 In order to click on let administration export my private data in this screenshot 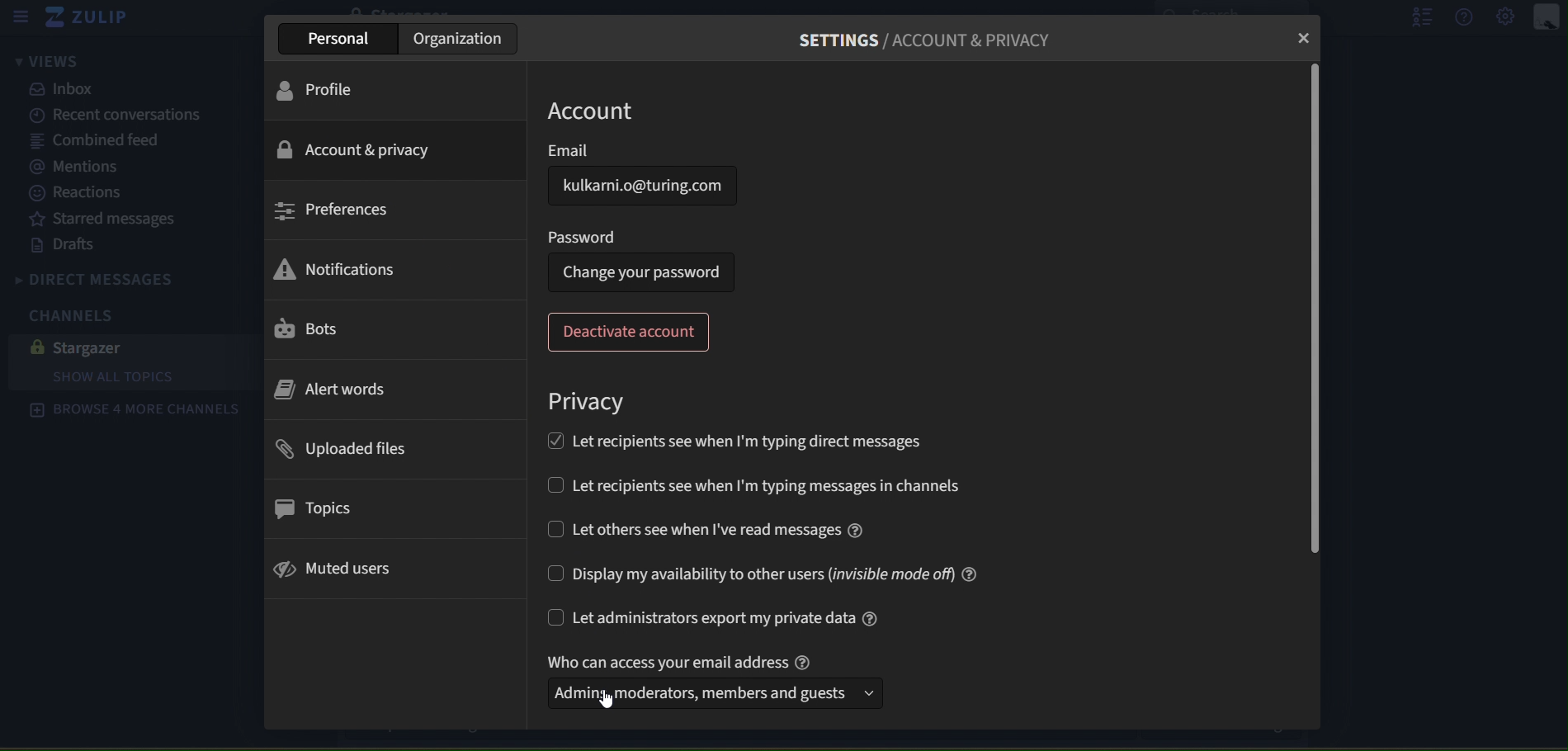, I will do `click(717, 620)`.